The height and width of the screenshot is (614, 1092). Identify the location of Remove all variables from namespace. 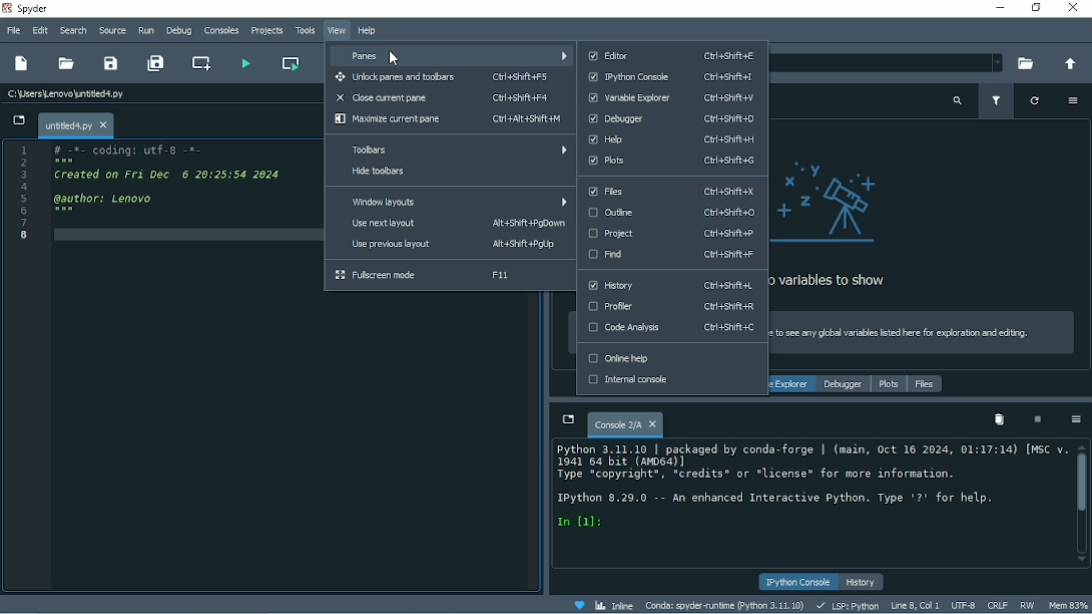
(998, 419).